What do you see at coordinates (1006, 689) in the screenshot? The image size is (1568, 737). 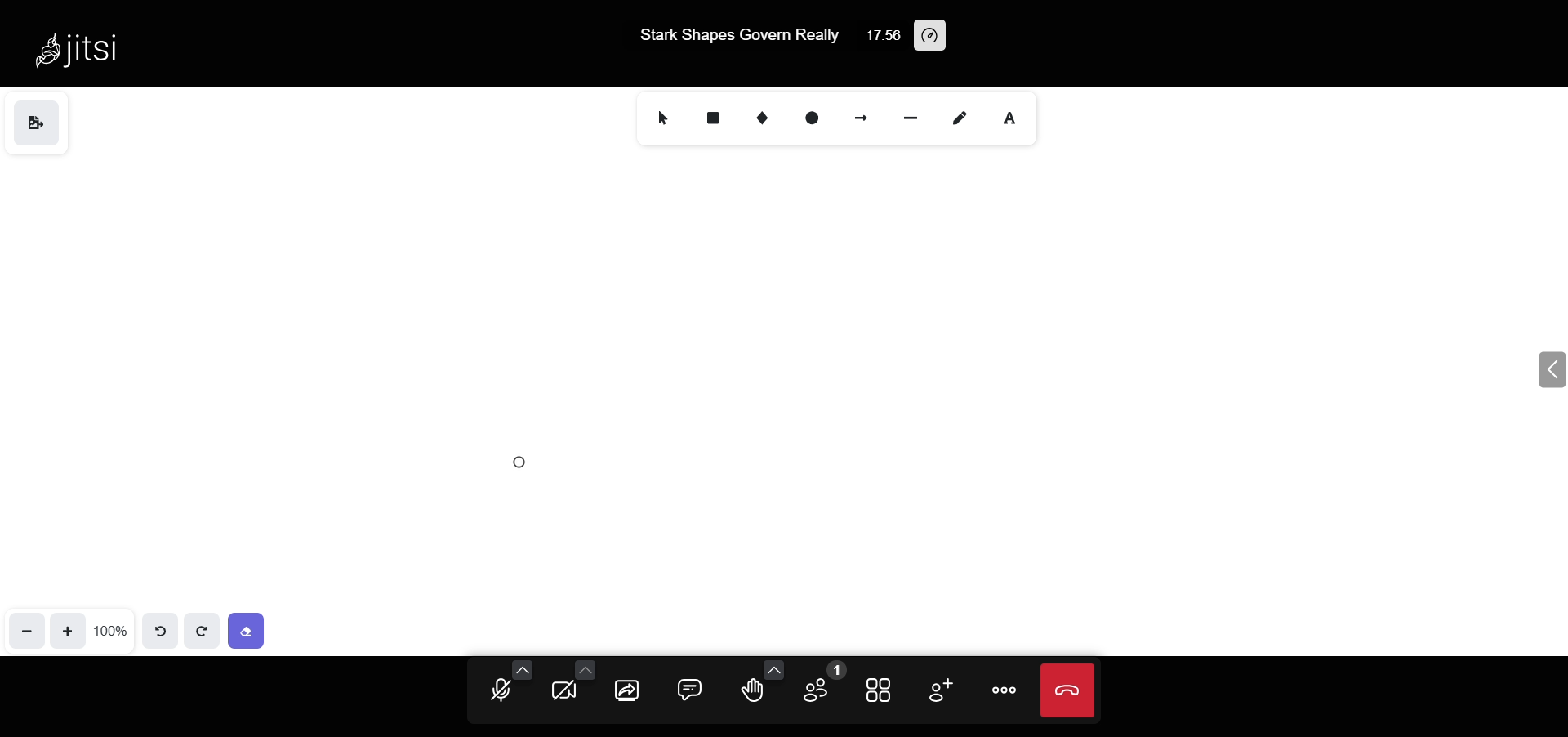 I see `more` at bounding box center [1006, 689].